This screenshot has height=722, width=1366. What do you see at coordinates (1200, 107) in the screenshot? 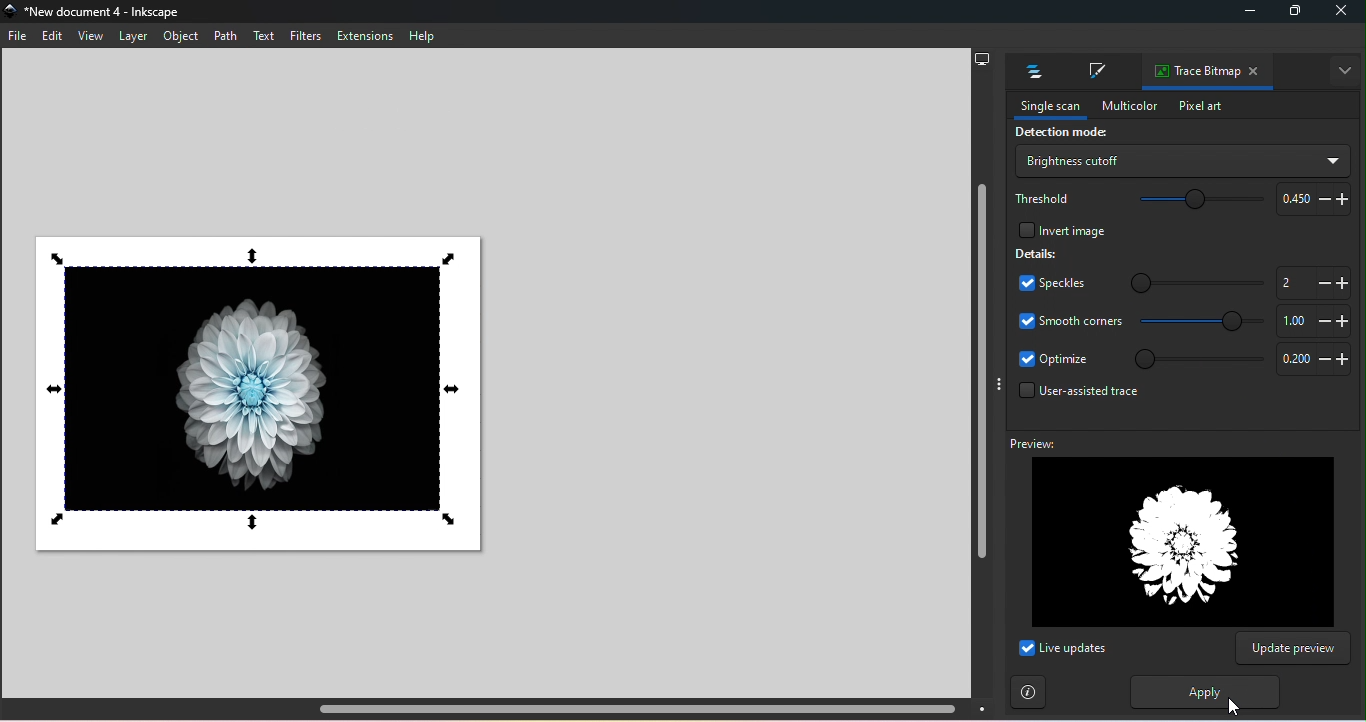
I see `Pixel art` at bounding box center [1200, 107].